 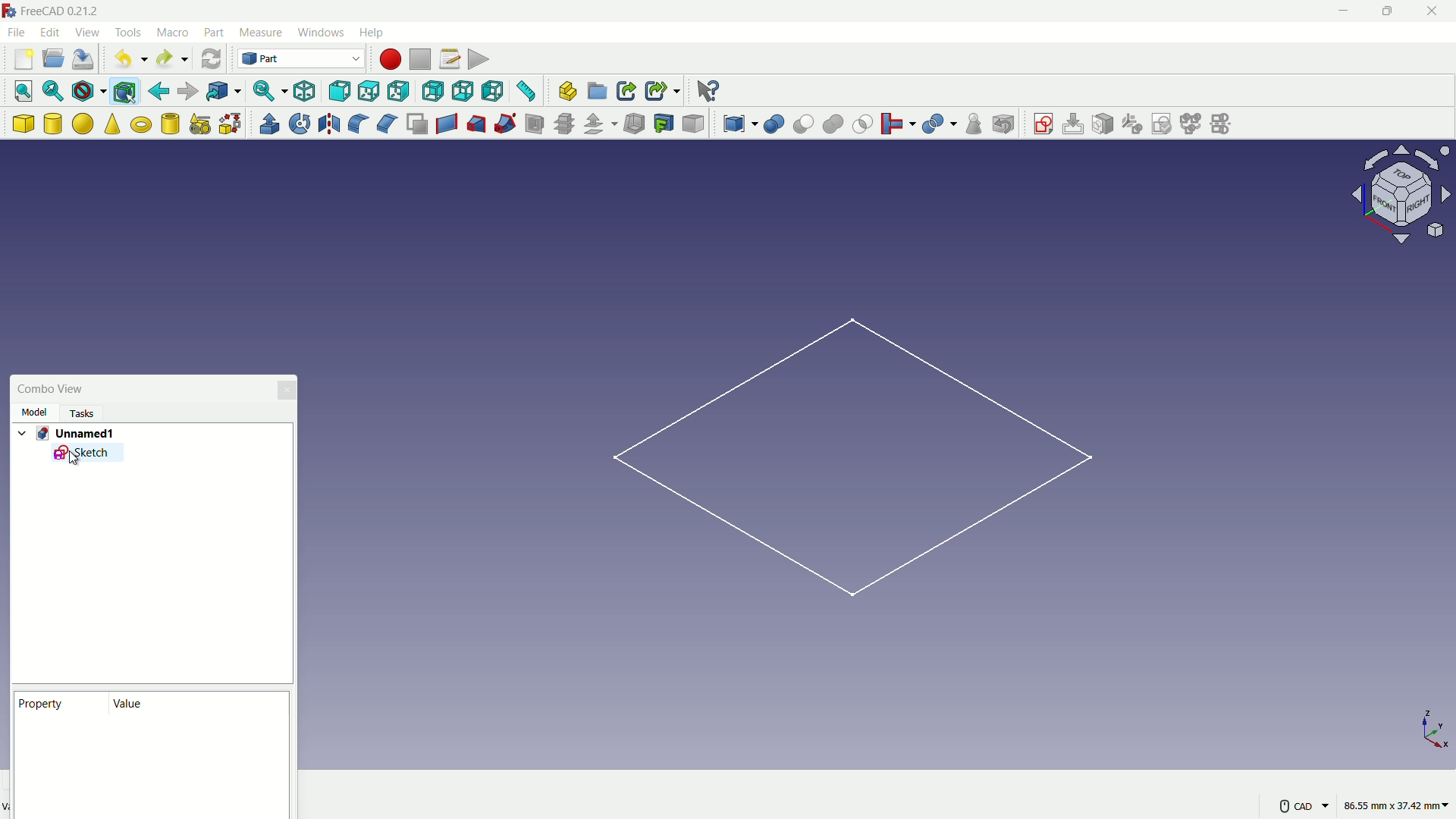 What do you see at coordinates (128, 33) in the screenshot?
I see `tools` at bounding box center [128, 33].